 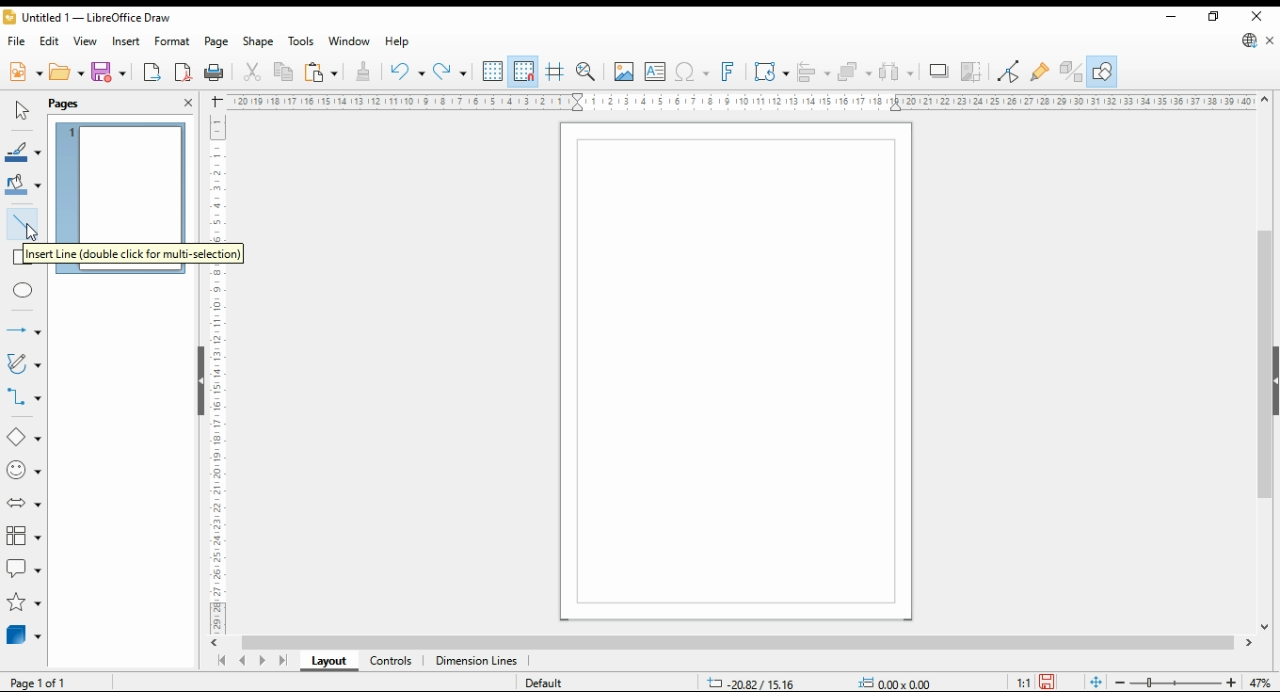 What do you see at coordinates (557, 683) in the screenshot?
I see `default` at bounding box center [557, 683].